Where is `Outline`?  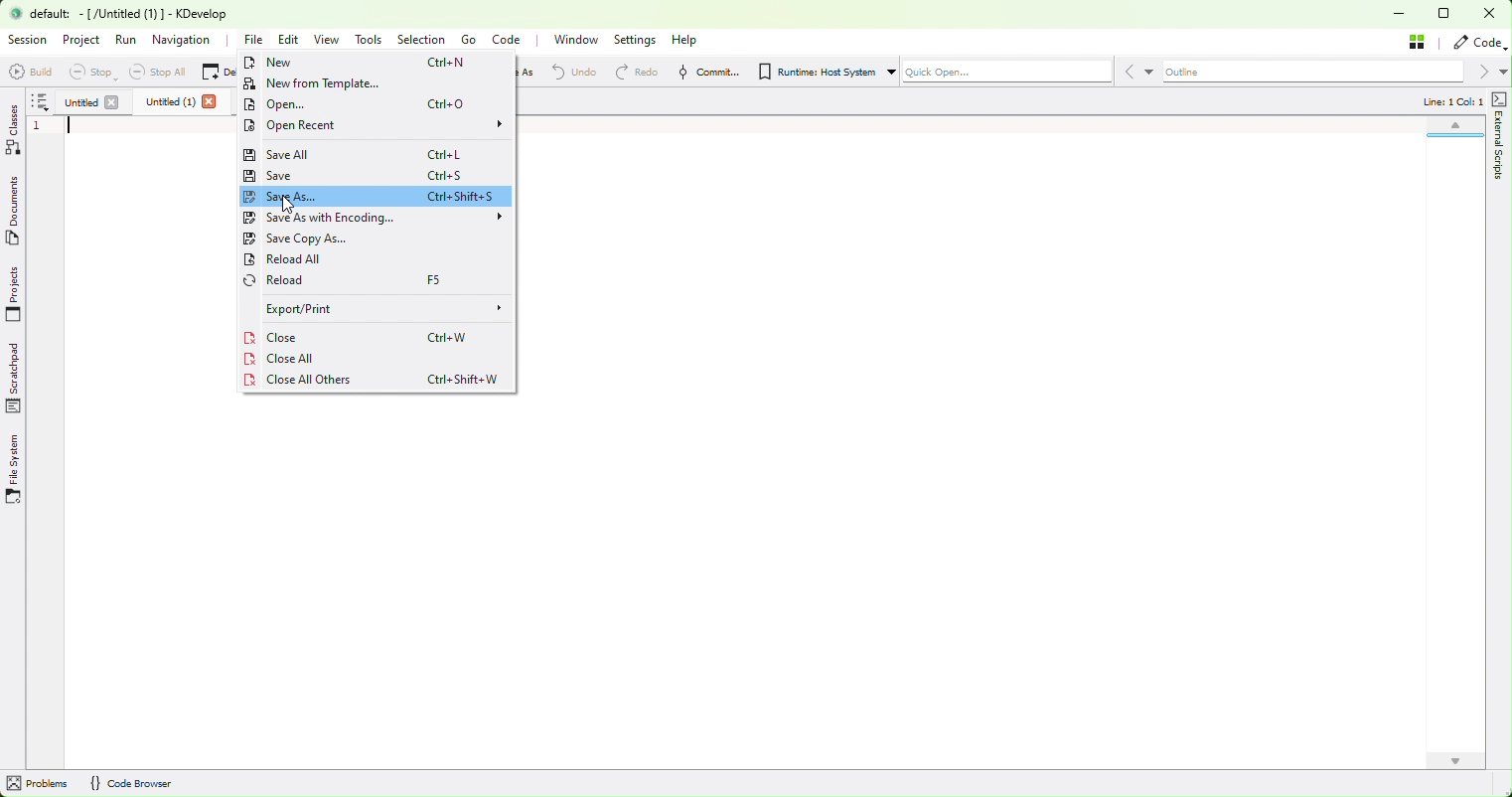
Outline is located at coordinates (1311, 73).